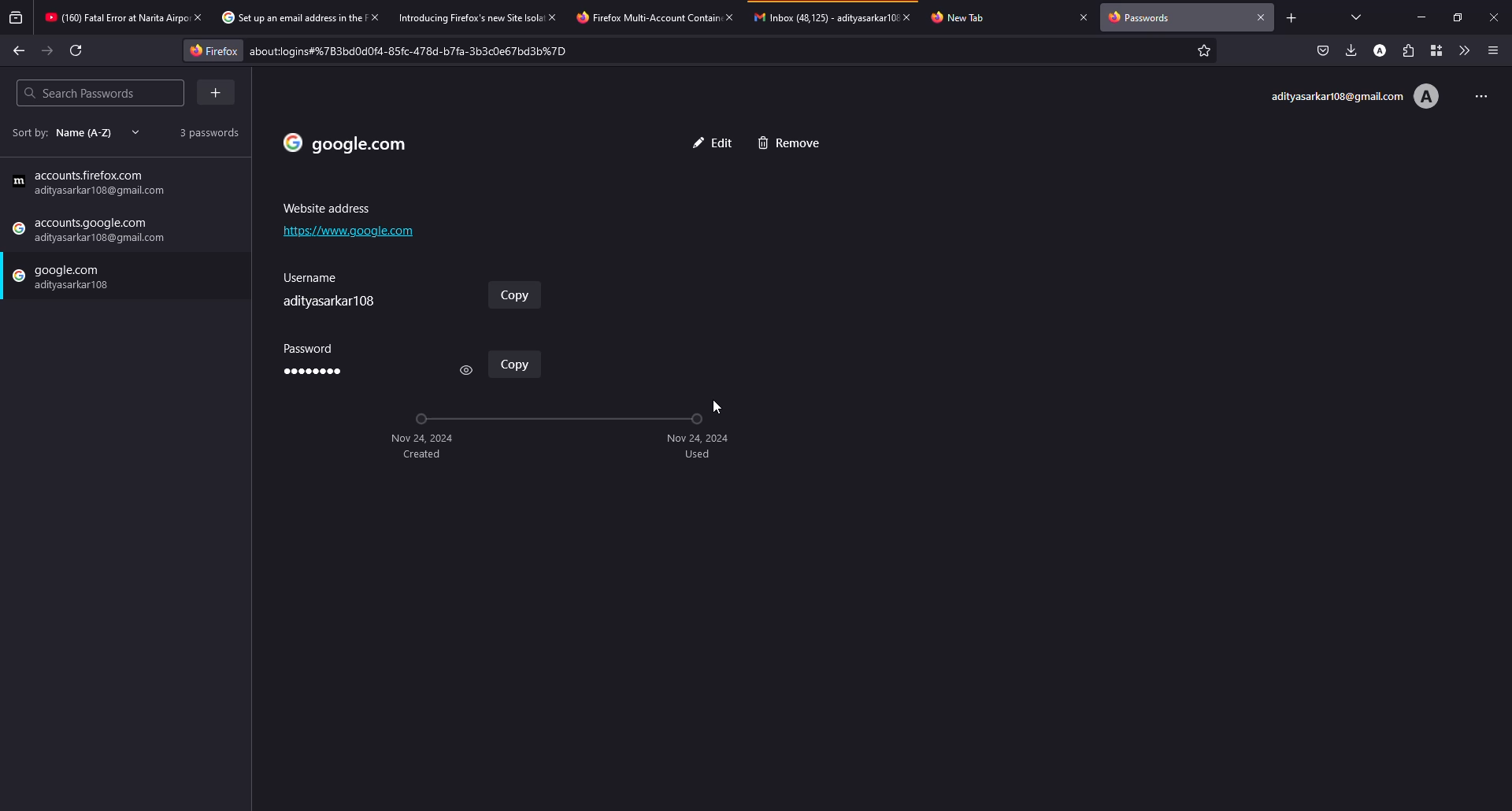 The height and width of the screenshot is (811, 1512). Describe the element at coordinates (717, 407) in the screenshot. I see `cursor` at that location.